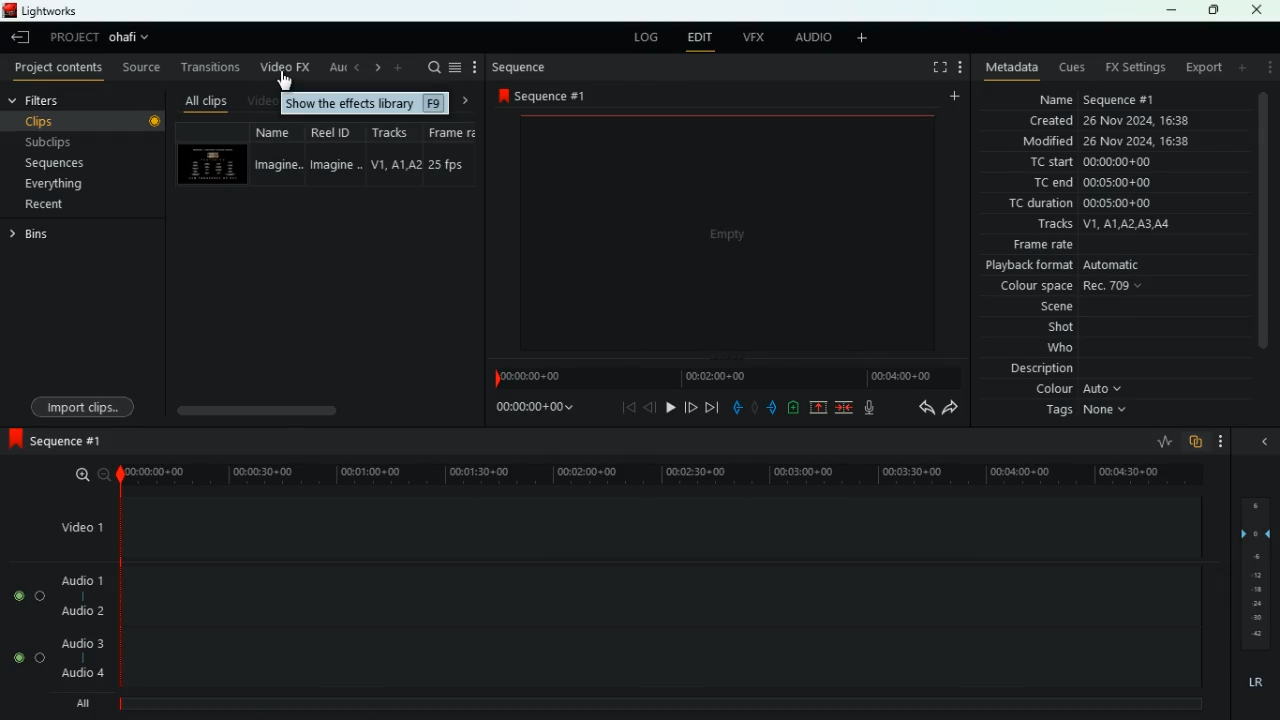  Describe the element at coordinates (1242, 68) in the screenshot. I see `more` at that location.